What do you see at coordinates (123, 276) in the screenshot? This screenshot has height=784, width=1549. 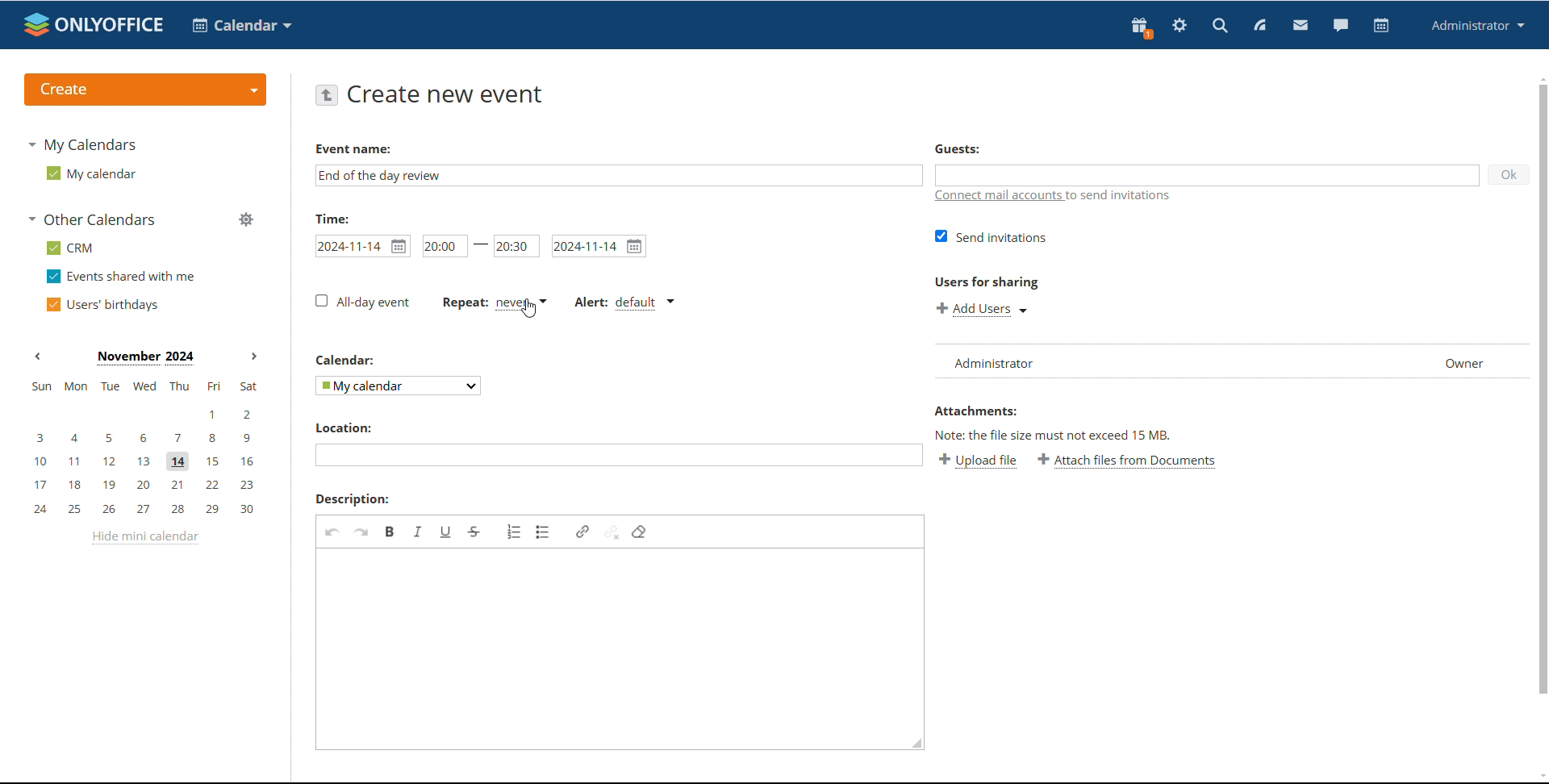 I see `events shared with me` at bounding box center [123, 276].